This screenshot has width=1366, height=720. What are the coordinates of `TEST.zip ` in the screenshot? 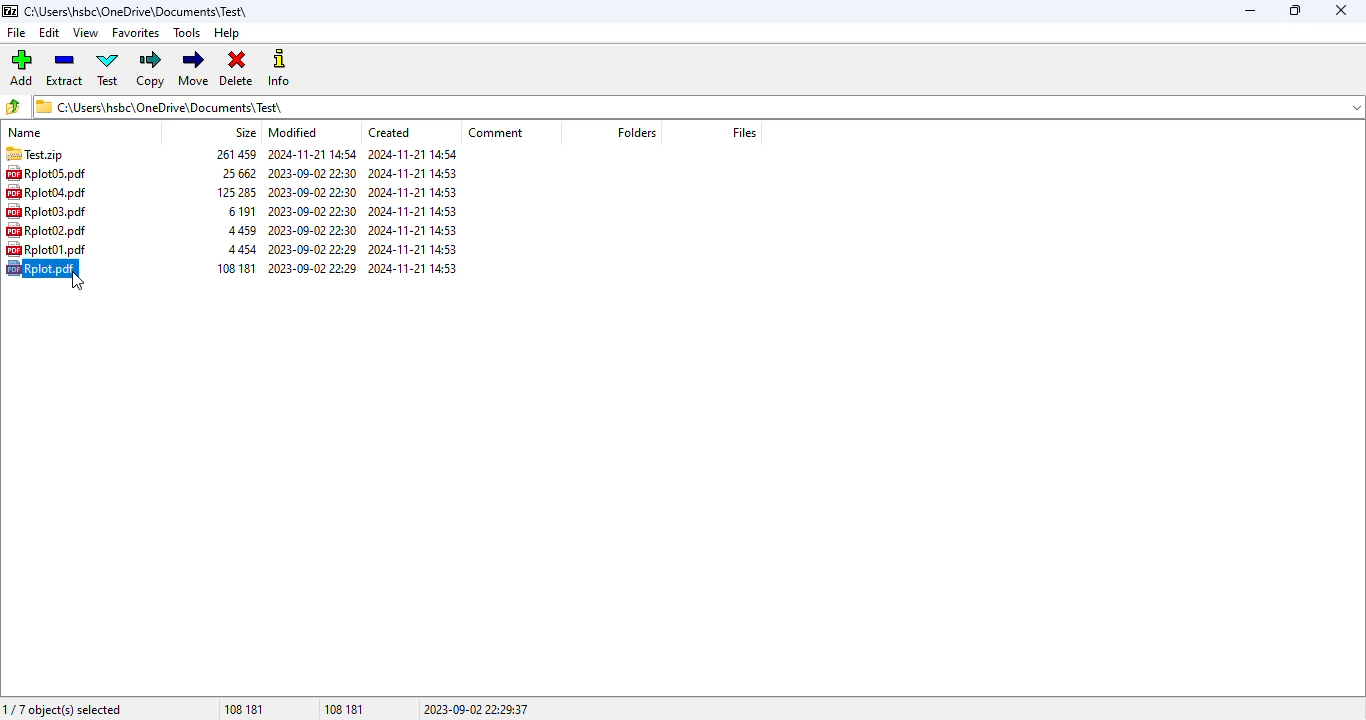 It's located at (32, 152).